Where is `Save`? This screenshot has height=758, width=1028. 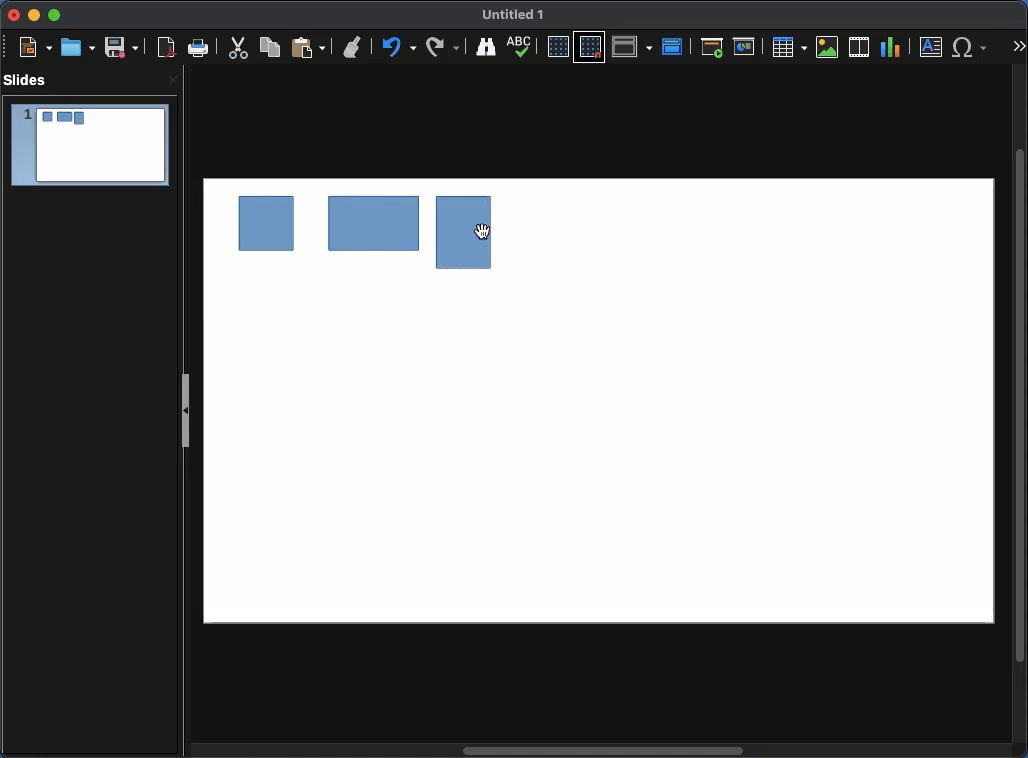
Save is located at coordinates (121, 48).